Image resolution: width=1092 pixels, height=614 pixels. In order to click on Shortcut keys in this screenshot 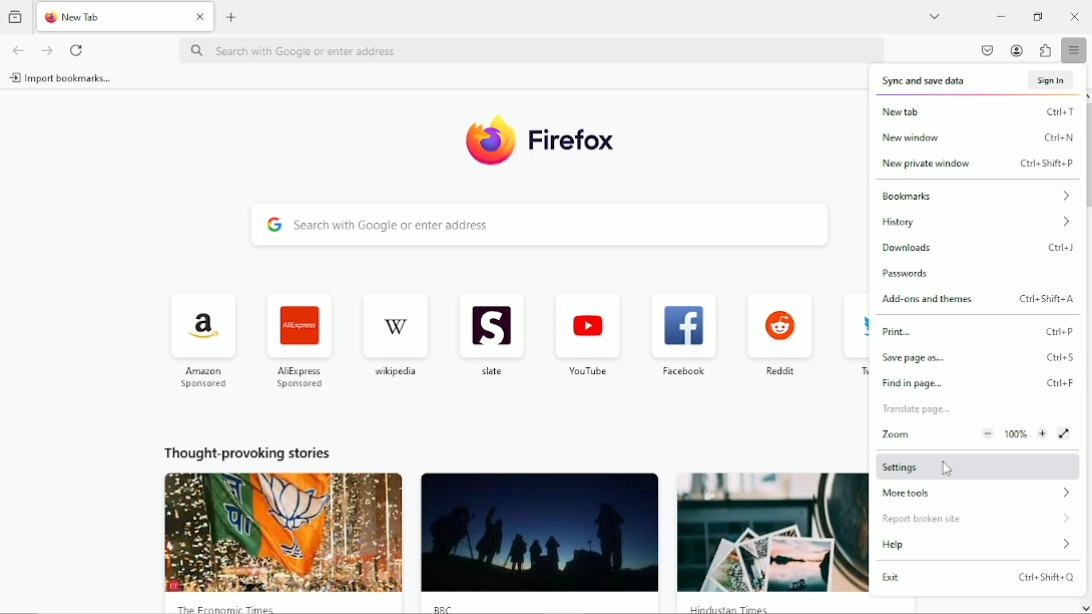, I will do `click(1059, 112)`.